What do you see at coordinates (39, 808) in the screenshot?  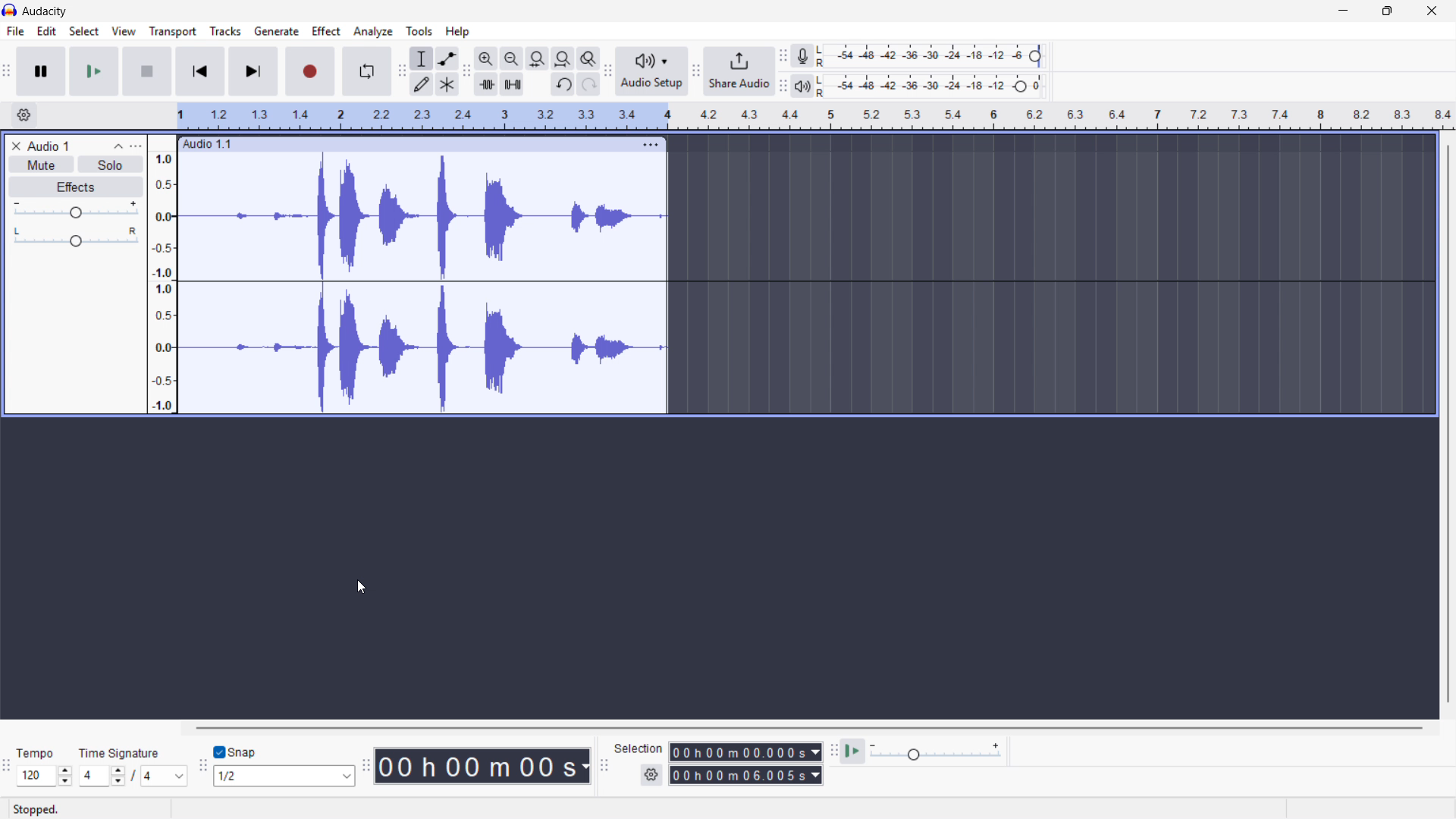 I see `stopped` at bounding box center [39, 808].